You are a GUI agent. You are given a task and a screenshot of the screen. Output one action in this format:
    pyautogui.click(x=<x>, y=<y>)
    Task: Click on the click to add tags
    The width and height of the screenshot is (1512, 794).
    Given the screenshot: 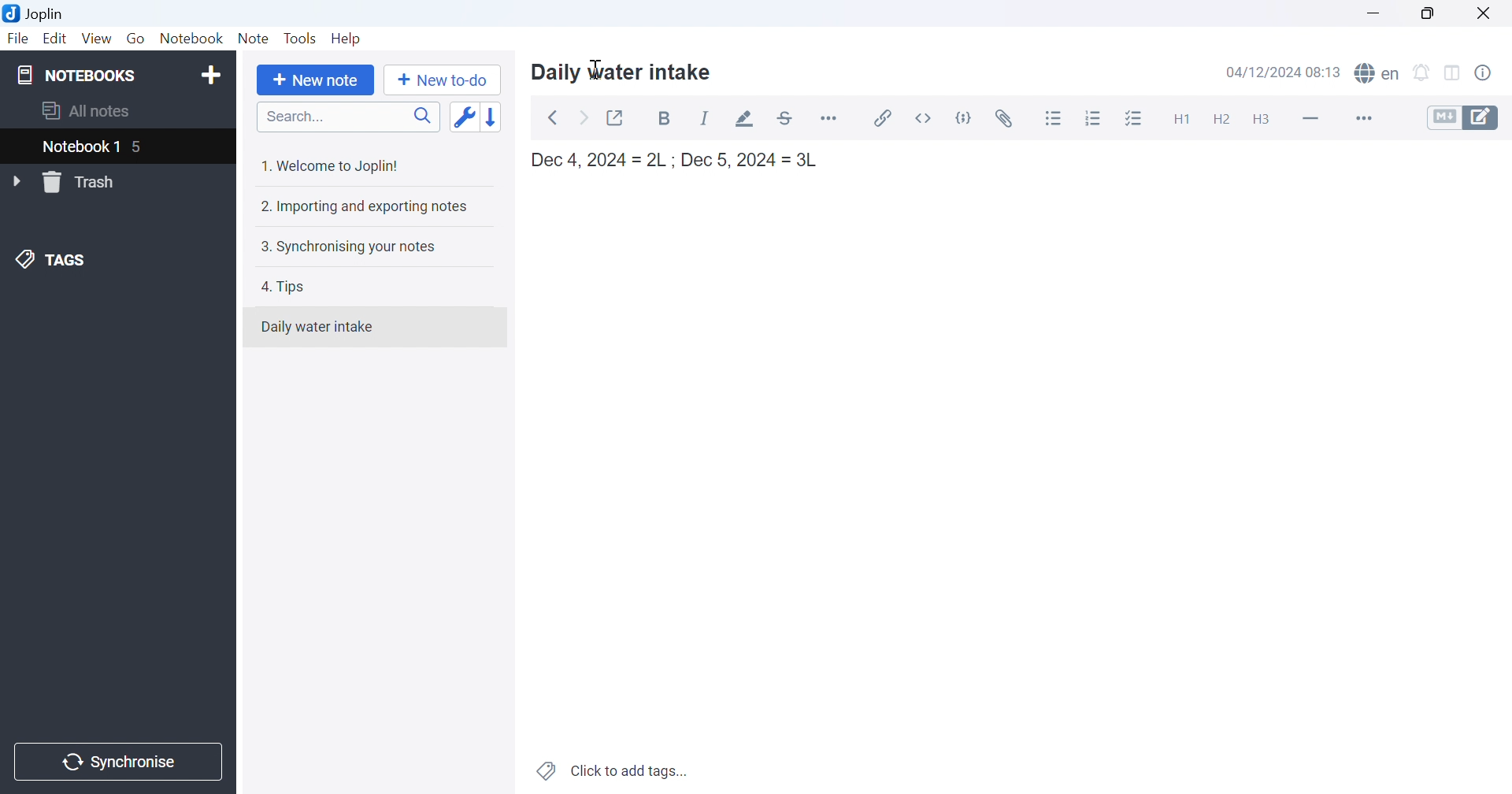 What is the action you would take?
    pyautogui.click(x=614, y=772)
    